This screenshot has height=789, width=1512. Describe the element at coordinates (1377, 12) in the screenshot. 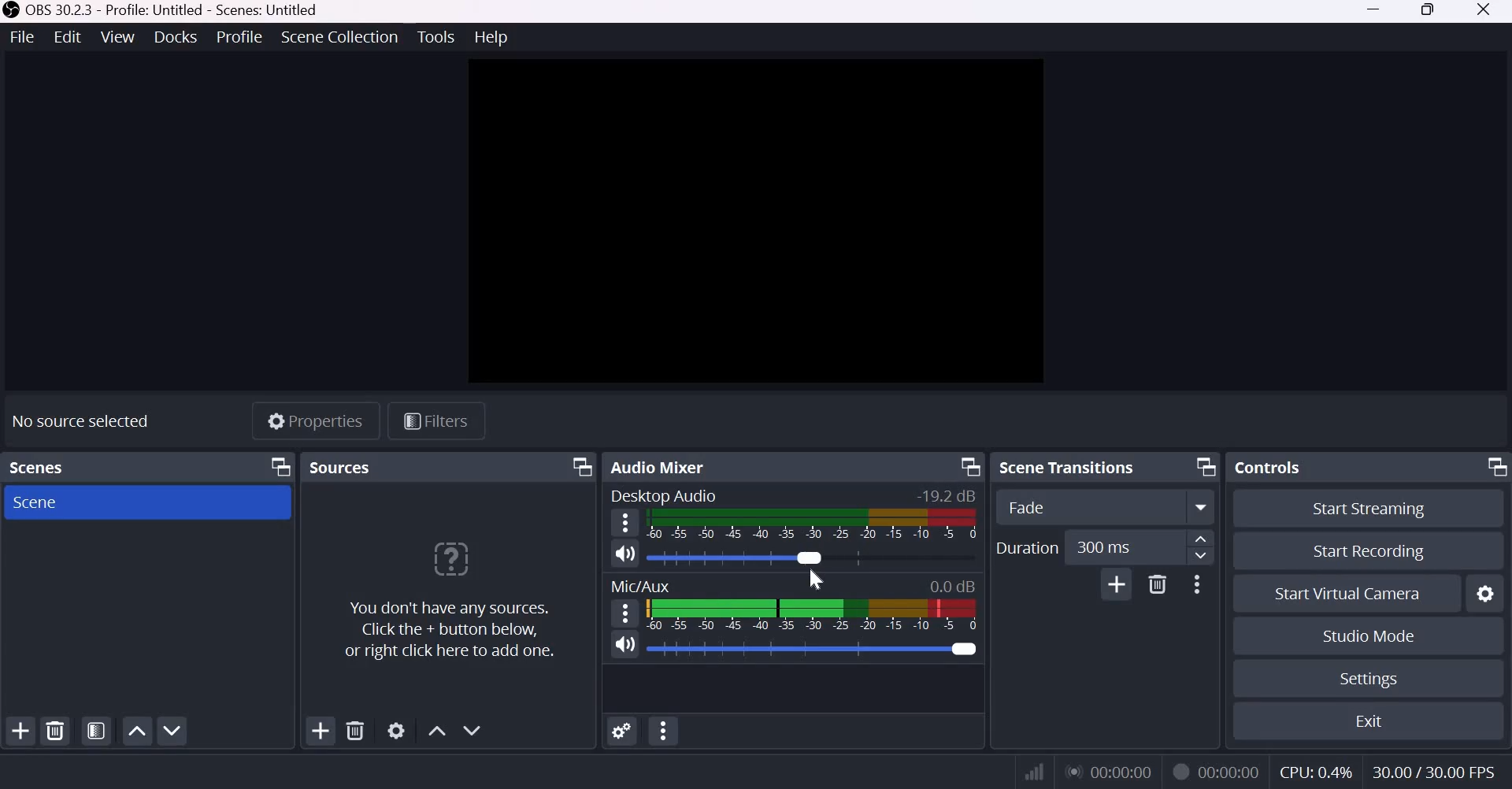

I see `Minimize` at that location.